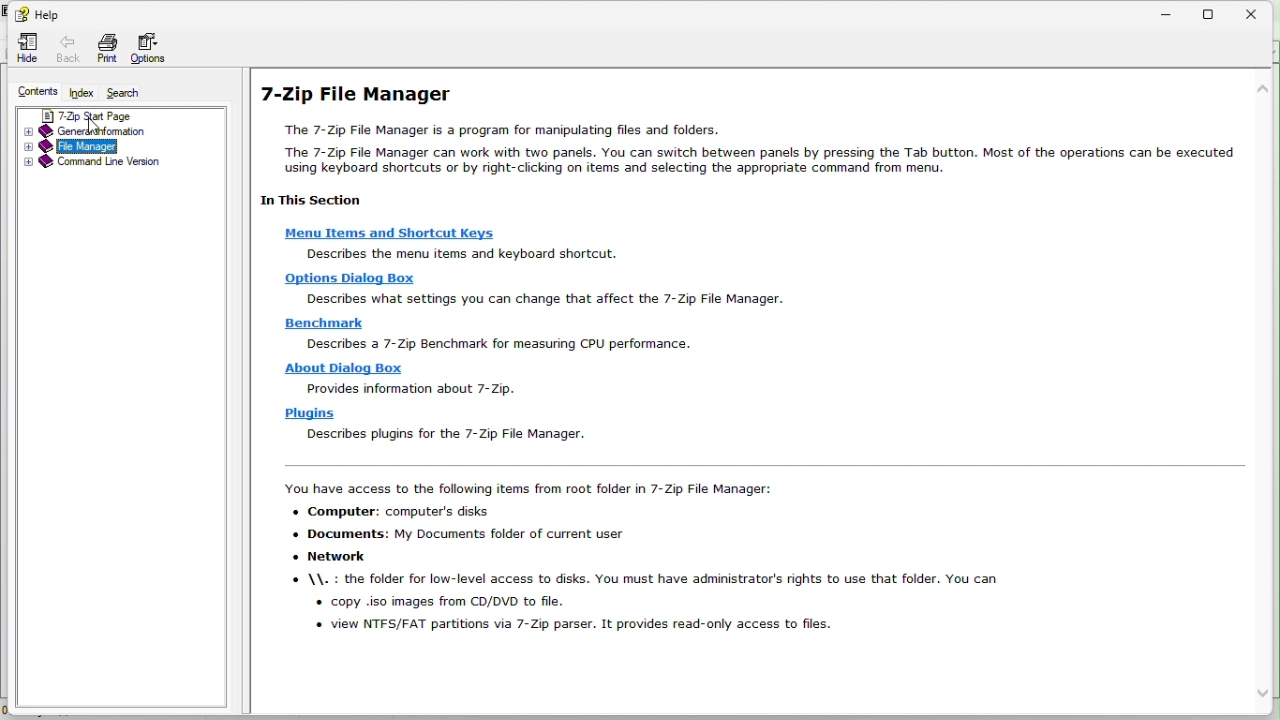 The image size is (1280, 720). What do you see at coordinates (115, 116) in the screenshot?
I see `7 zip start page ` at bounding box center [115, 116].